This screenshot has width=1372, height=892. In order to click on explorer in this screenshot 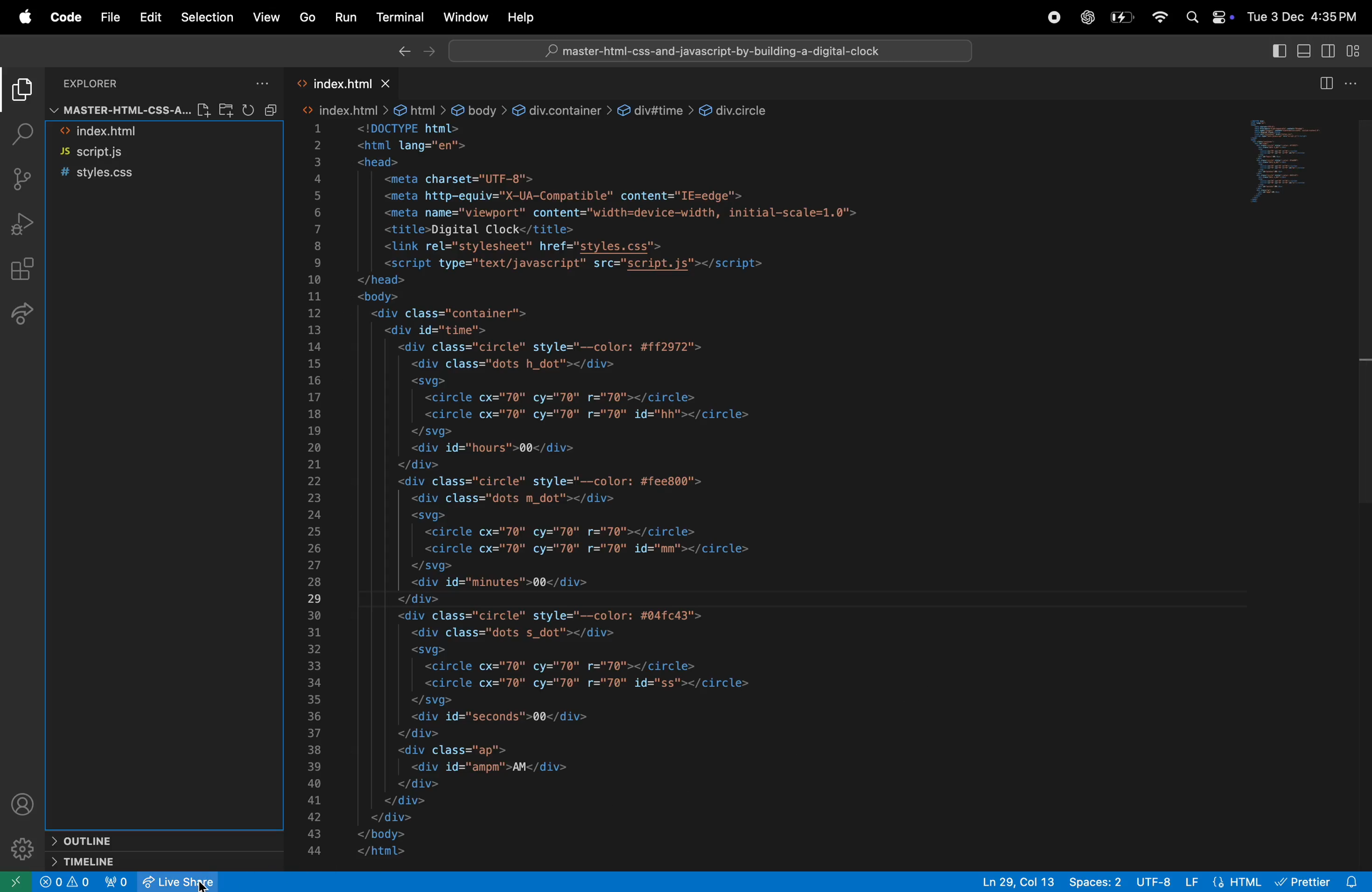, I will do `click(127, 81)`.